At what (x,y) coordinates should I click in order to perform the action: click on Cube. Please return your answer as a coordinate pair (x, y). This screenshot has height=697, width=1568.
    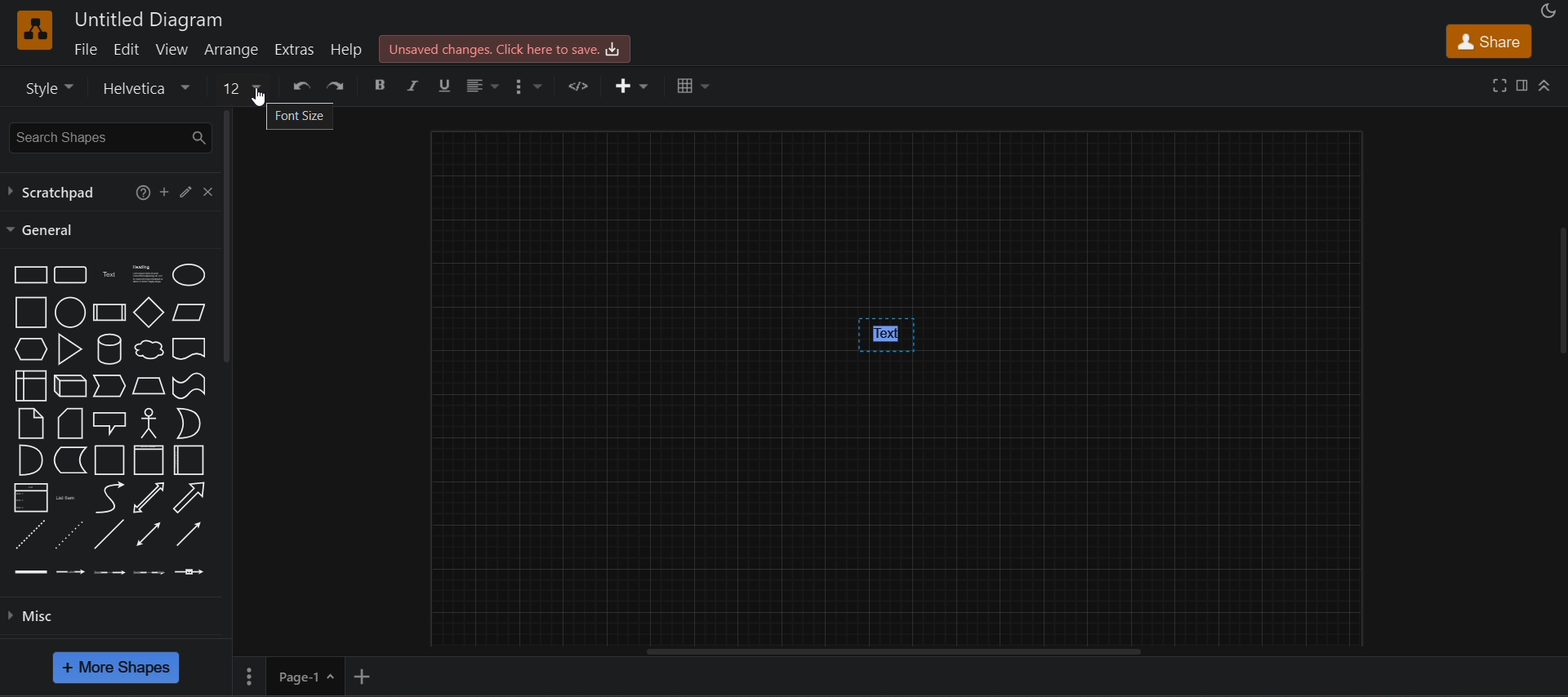
    Looking at the image, I should click on (70, 385).